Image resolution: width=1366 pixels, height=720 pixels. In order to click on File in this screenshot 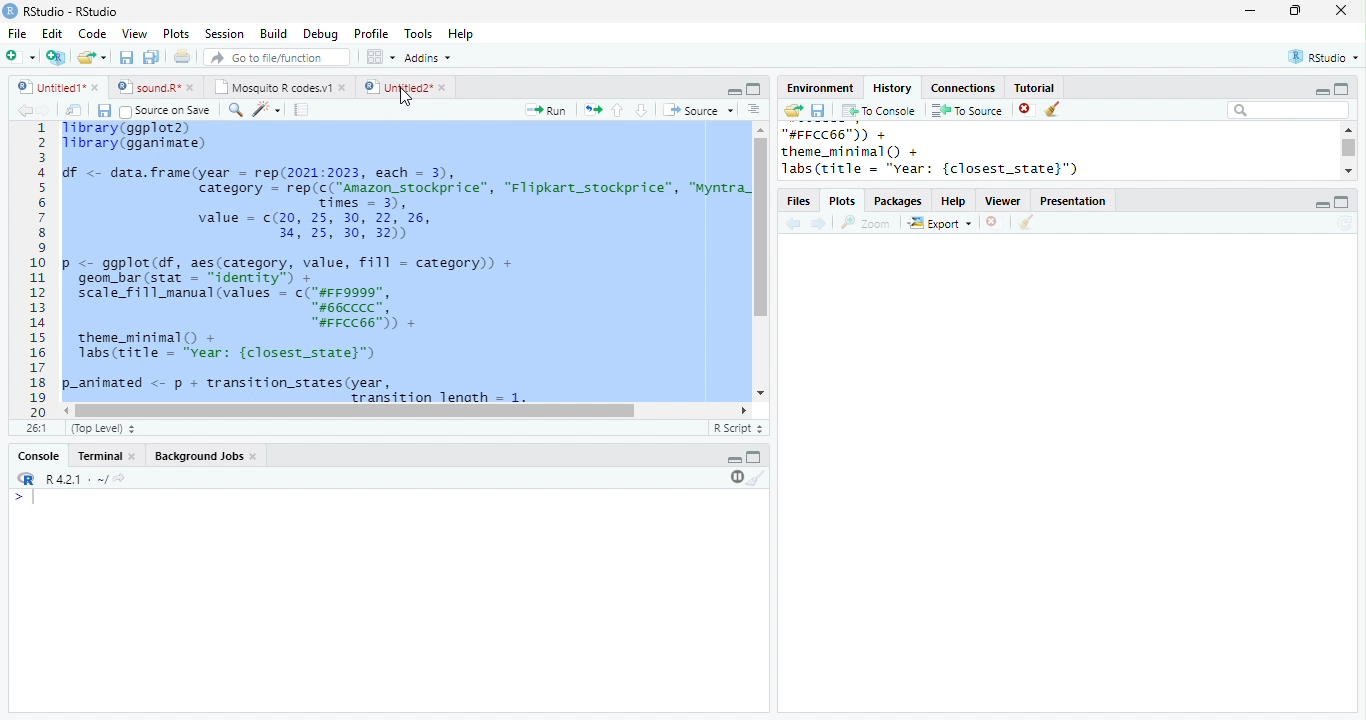, I will do `click(19, 34)`.